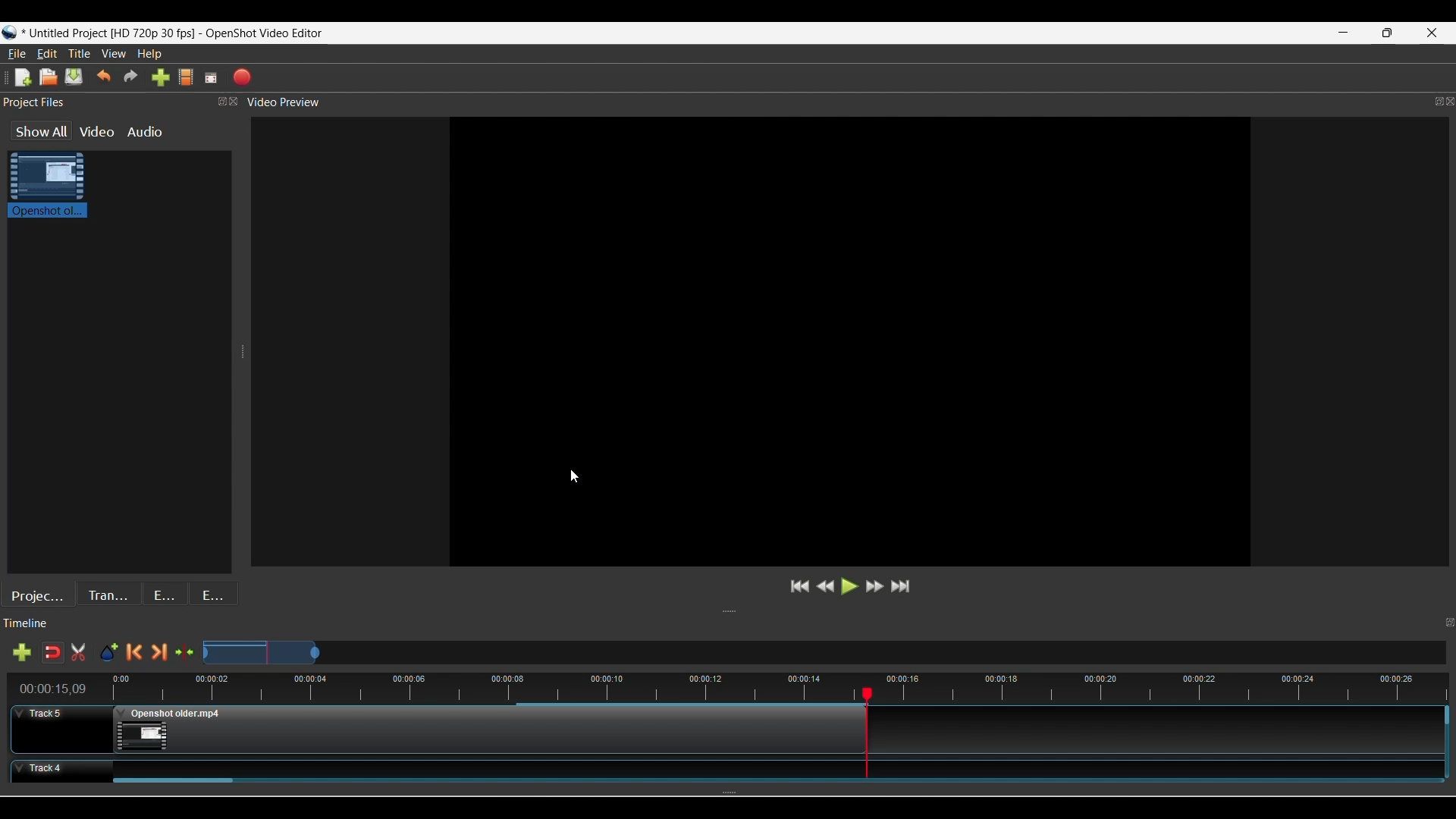 The image size is (1456, 819). I want to click on Next marker, so click(159, 652).